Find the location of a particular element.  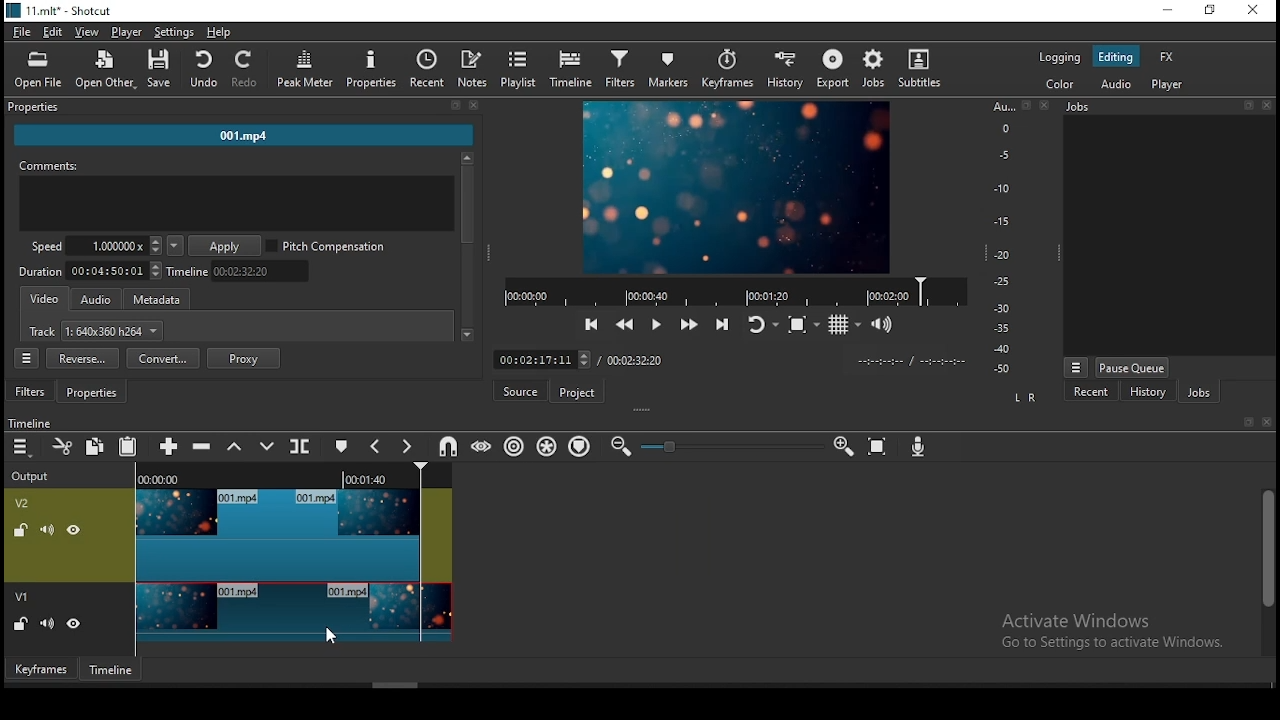

reverse is located at coordinates (82, 359).